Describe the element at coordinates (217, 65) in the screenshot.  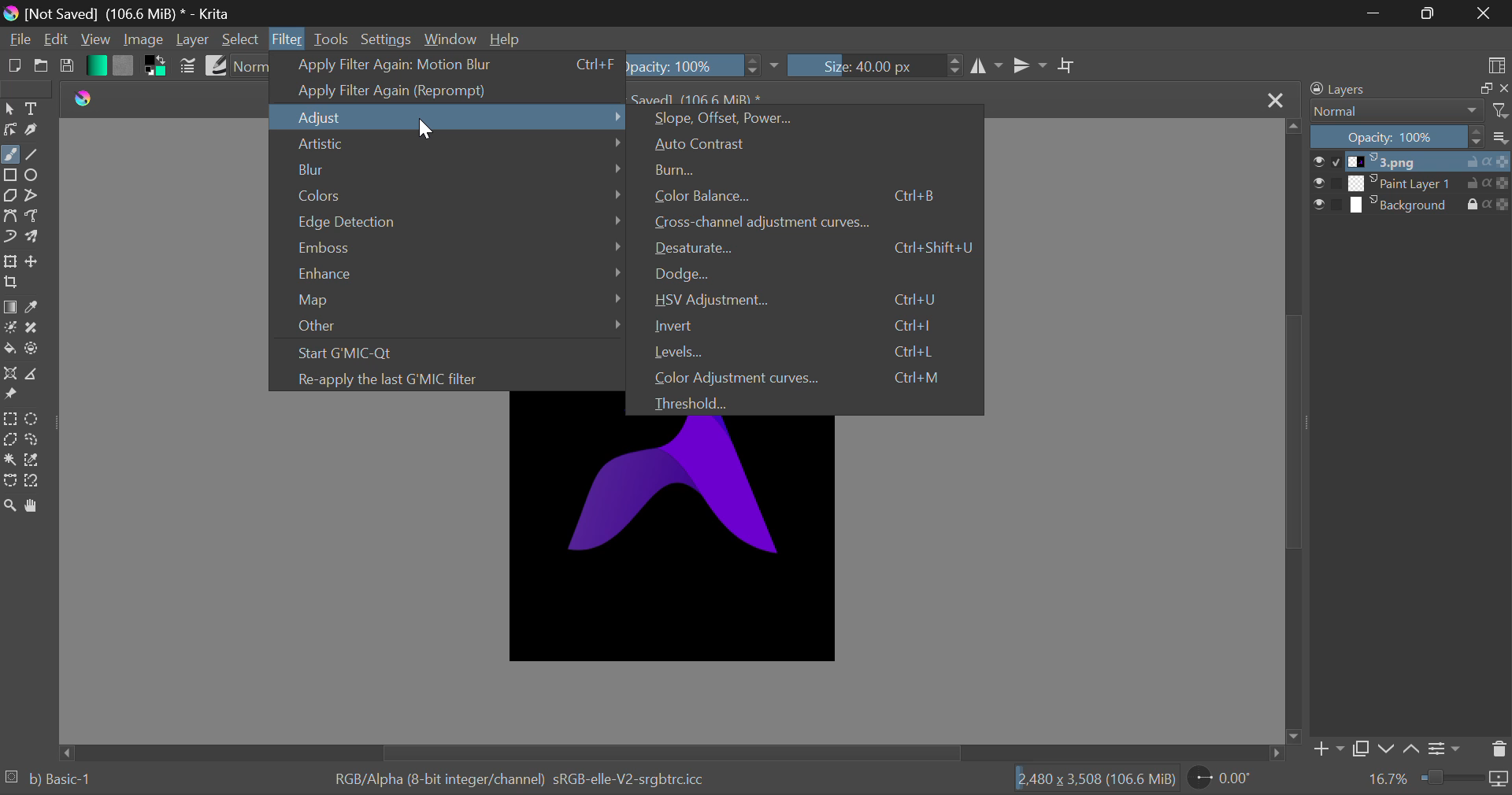
I see `Brush Presets` at that location.